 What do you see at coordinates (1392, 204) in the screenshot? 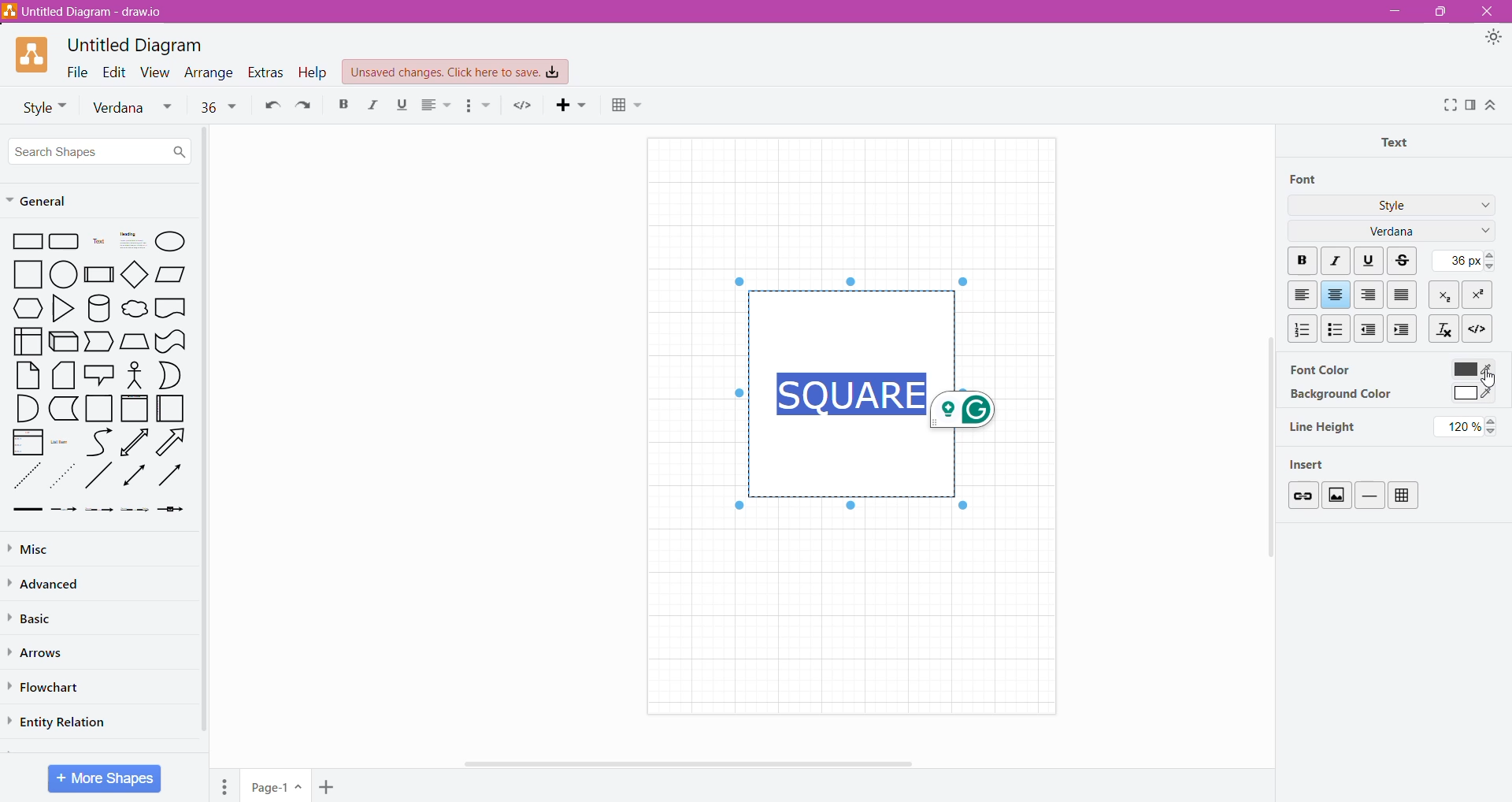
I see `Style` at bounding box center [1392, 204].